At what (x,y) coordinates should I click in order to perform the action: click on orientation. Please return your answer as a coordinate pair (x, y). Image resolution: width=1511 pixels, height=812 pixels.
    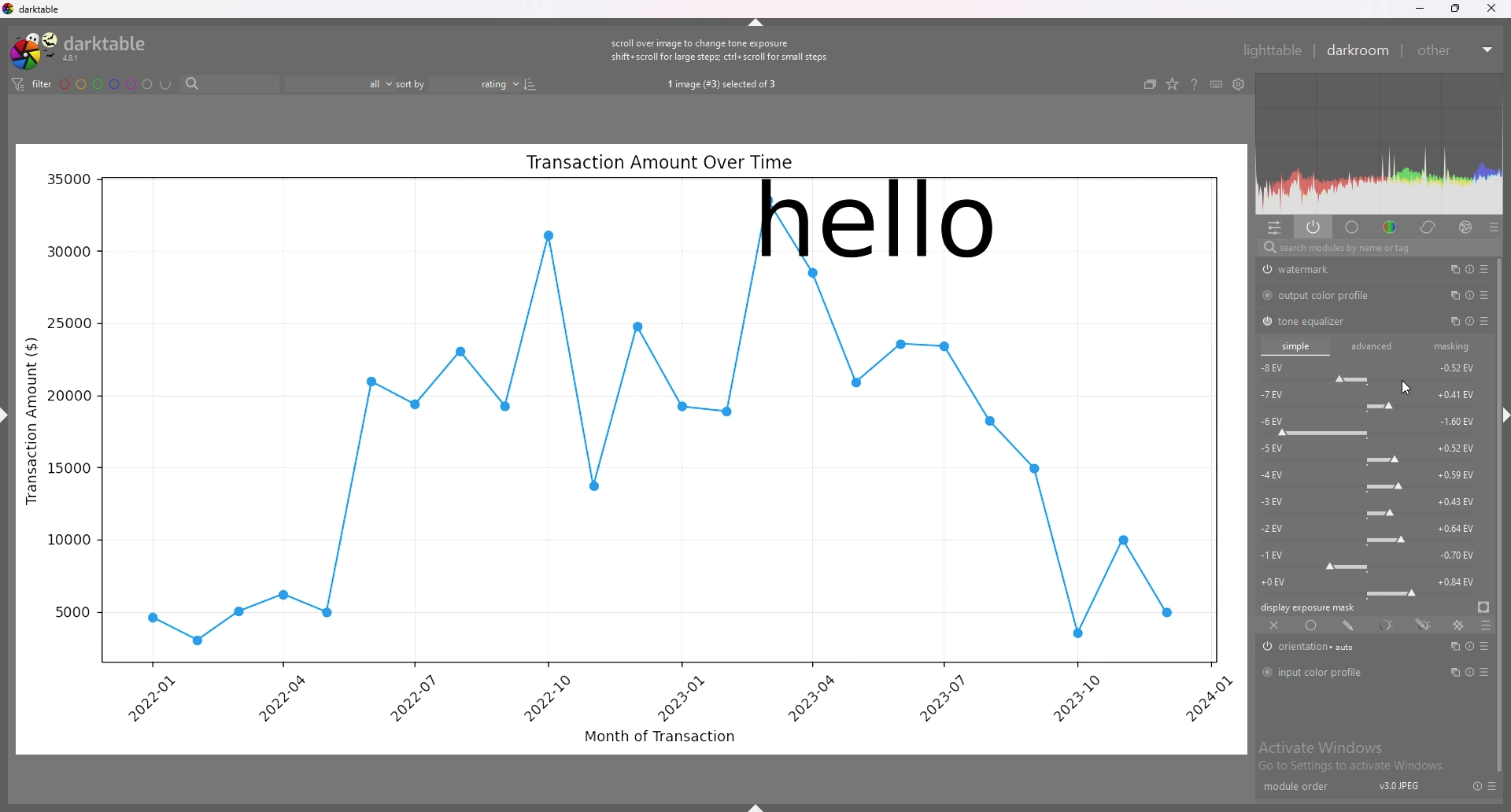
    Looking at the image, I should click on (1320, 648).